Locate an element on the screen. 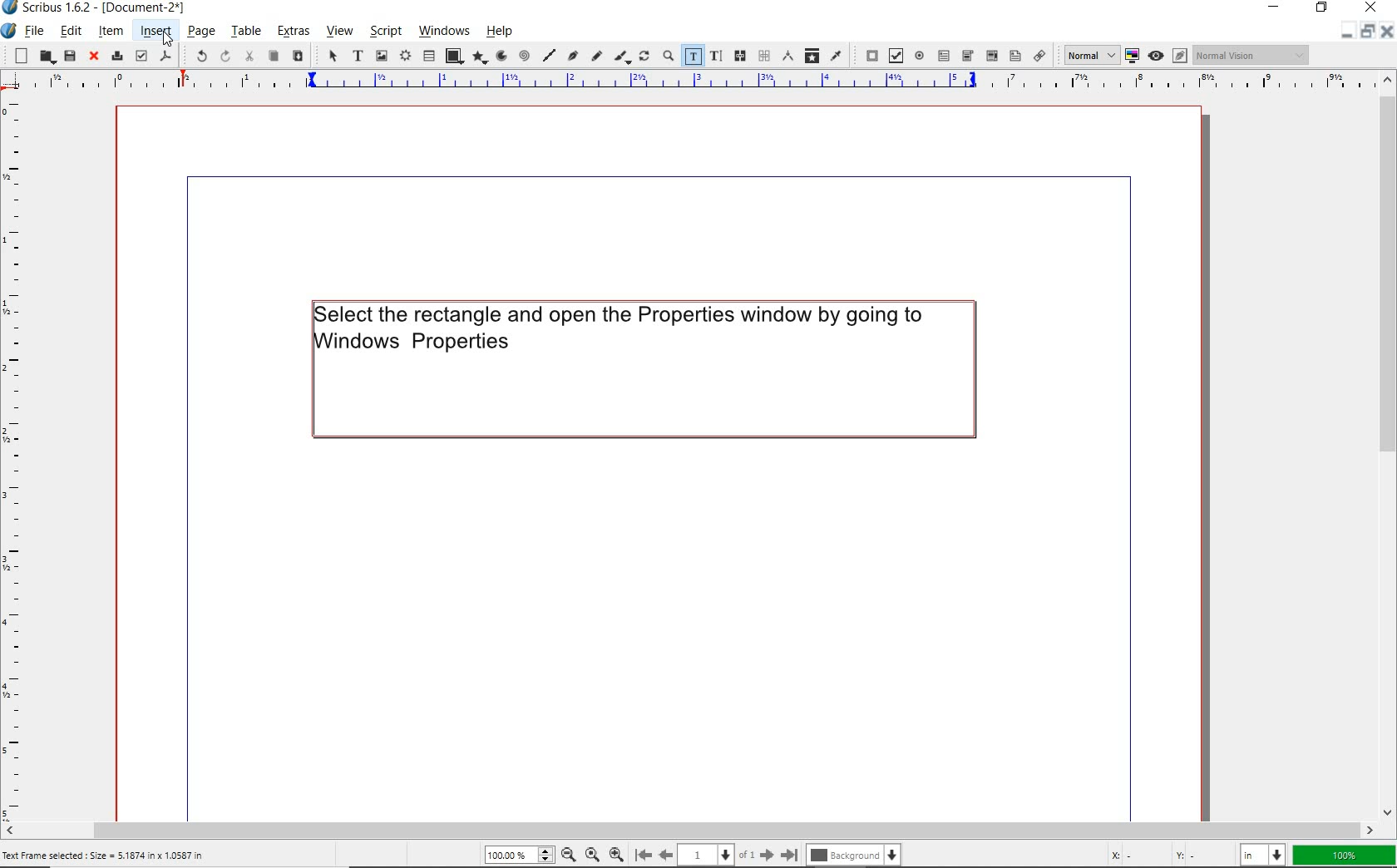 Image resolution: width=1397 pixels, height=868 pixels. print is located at coordinates (116, 56).